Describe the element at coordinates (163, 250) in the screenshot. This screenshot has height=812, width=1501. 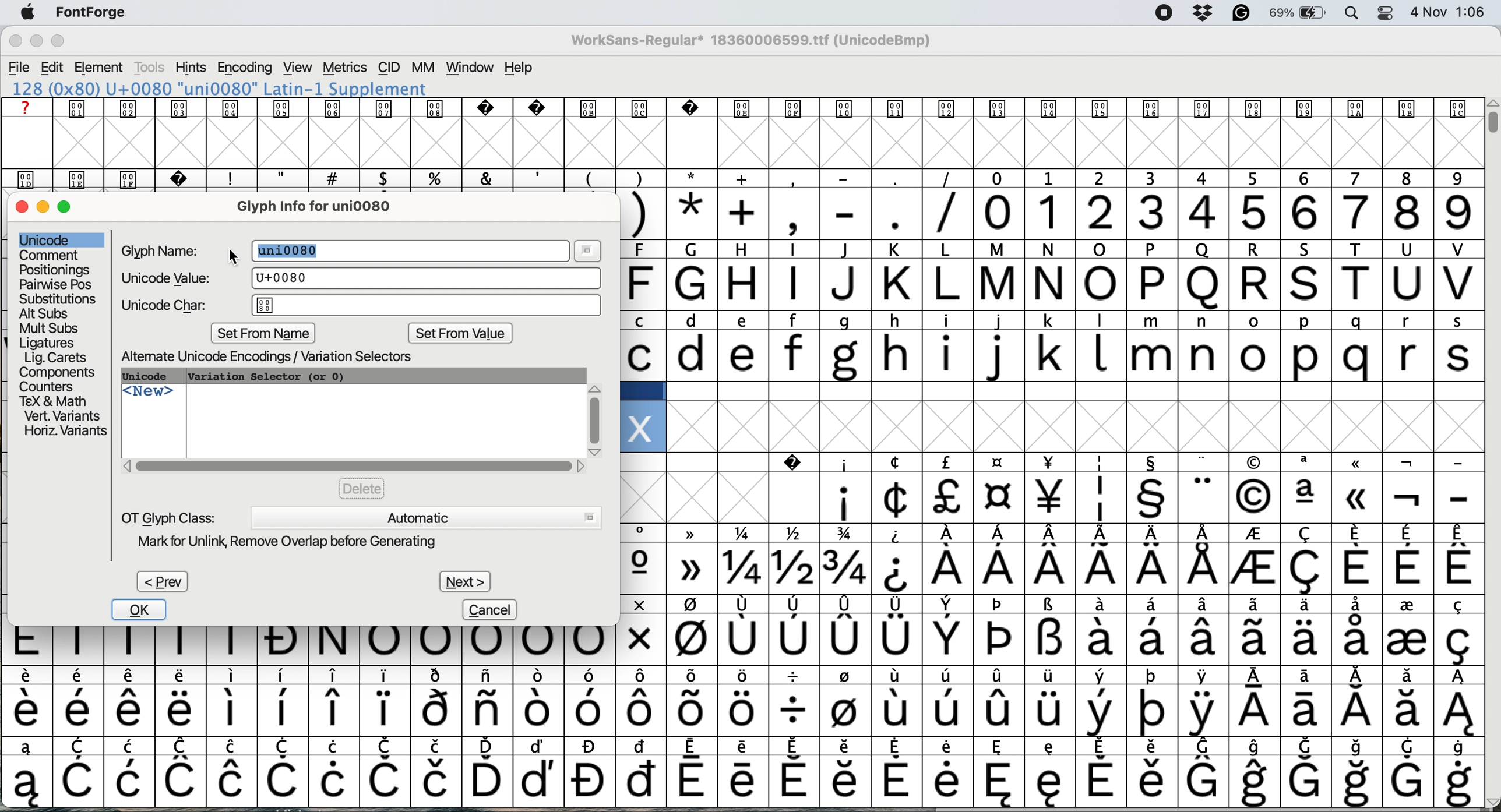
I see `glyph name` at that location.